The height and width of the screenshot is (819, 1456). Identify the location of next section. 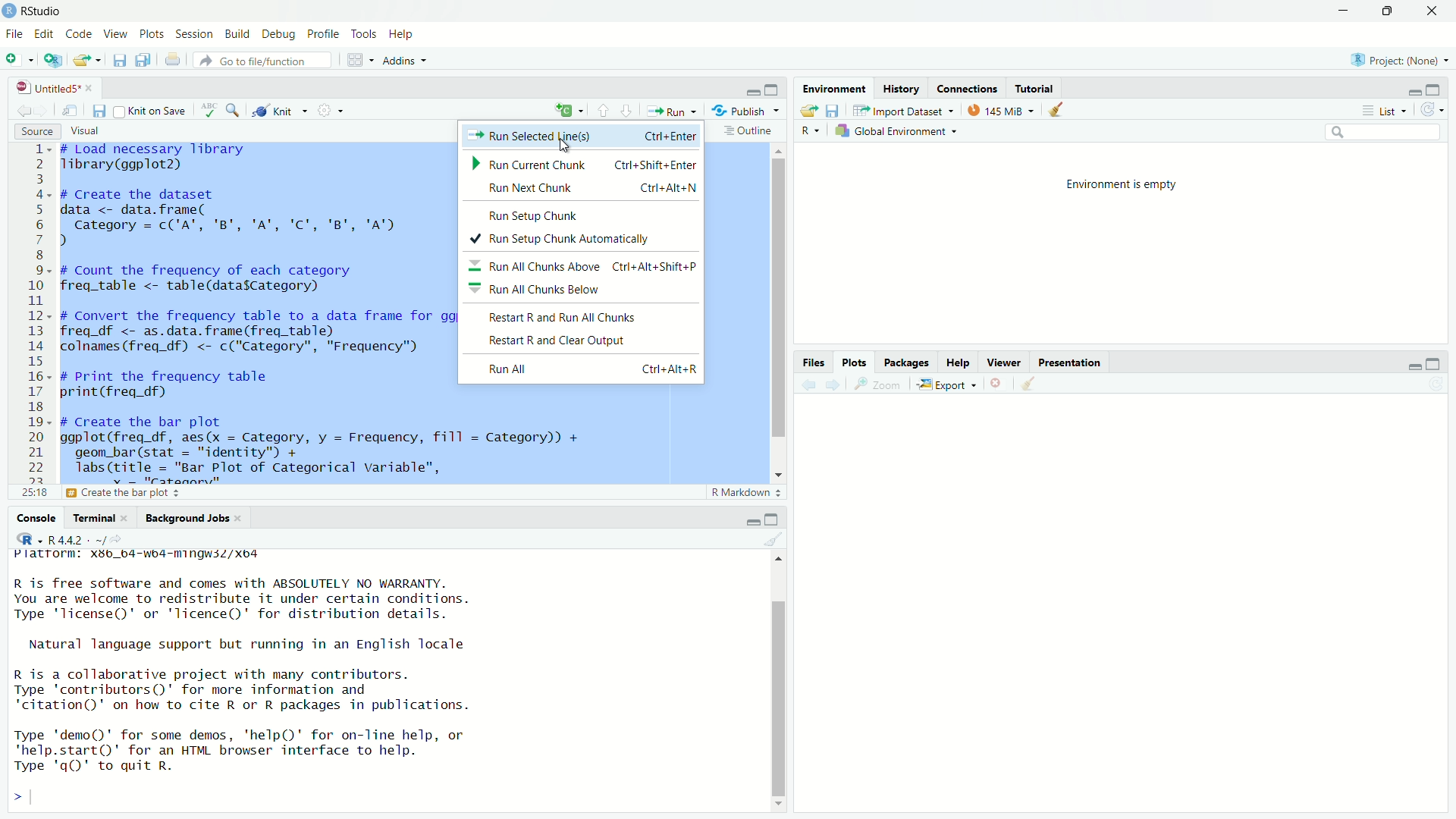
(629, 113).